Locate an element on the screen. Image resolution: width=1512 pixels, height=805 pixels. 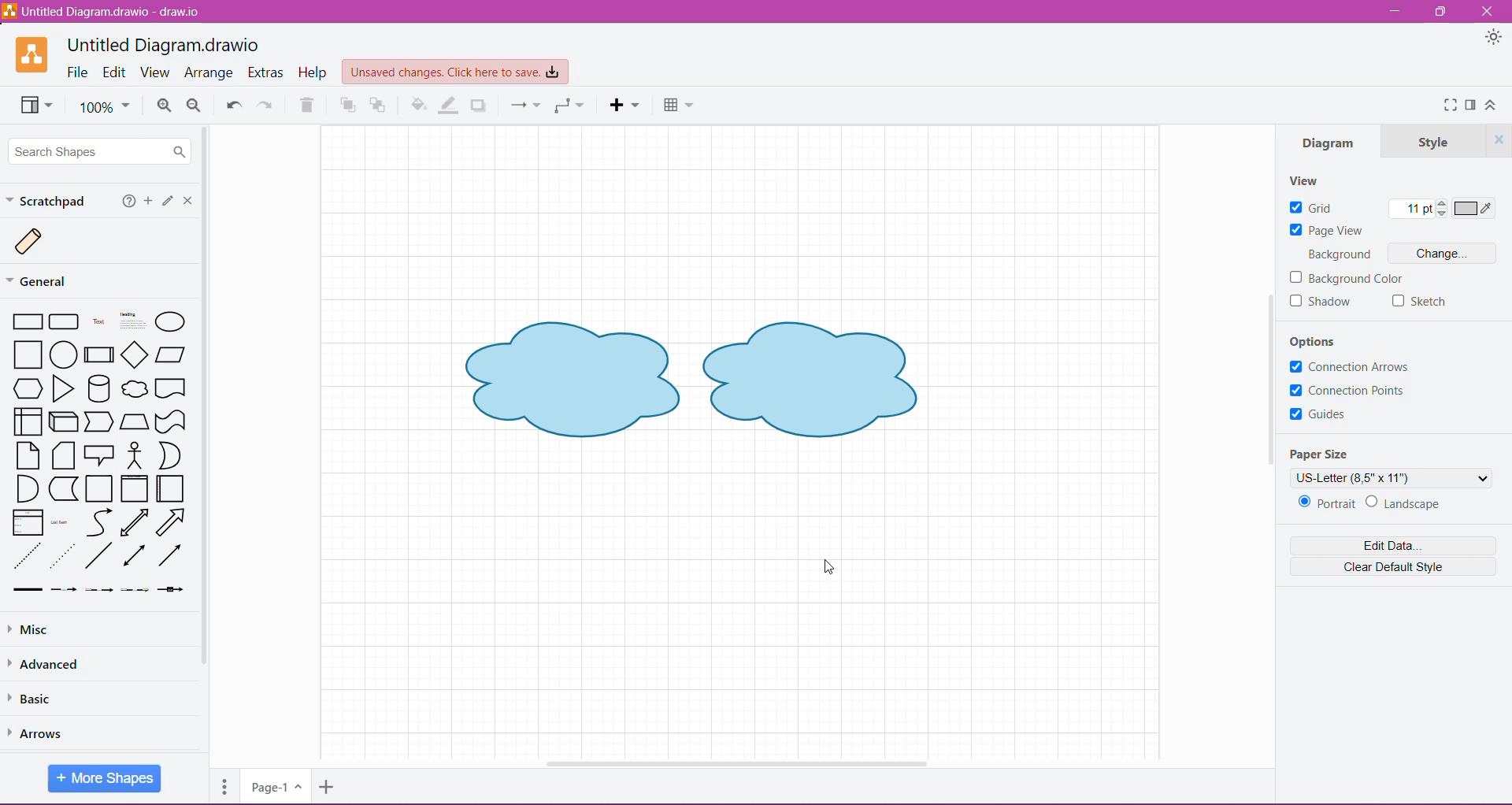
General is located at coordinates (46, 280).